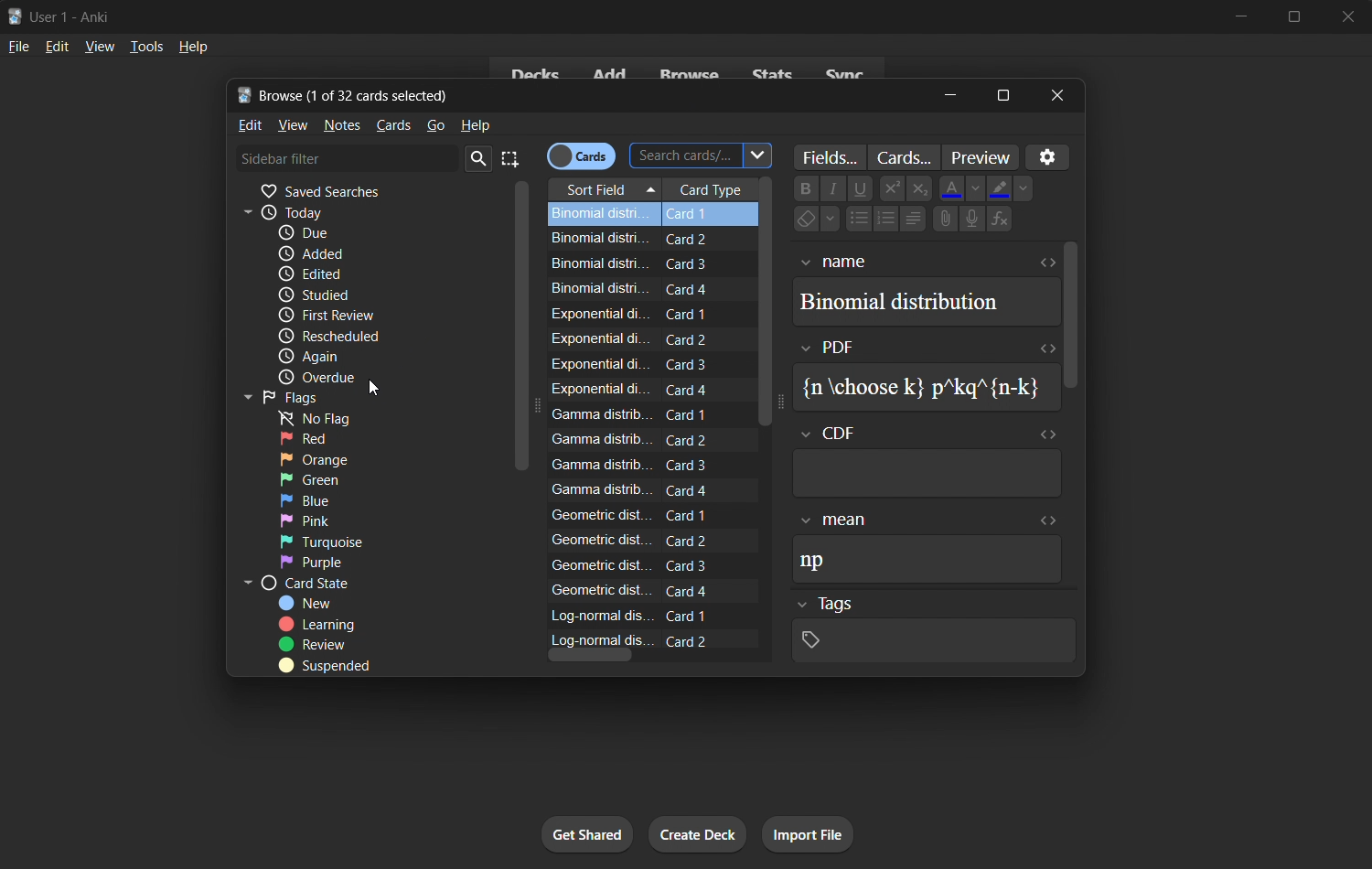 The height and width of the screenshot is (869, 1372). I want to click on go, so click(438, 125).